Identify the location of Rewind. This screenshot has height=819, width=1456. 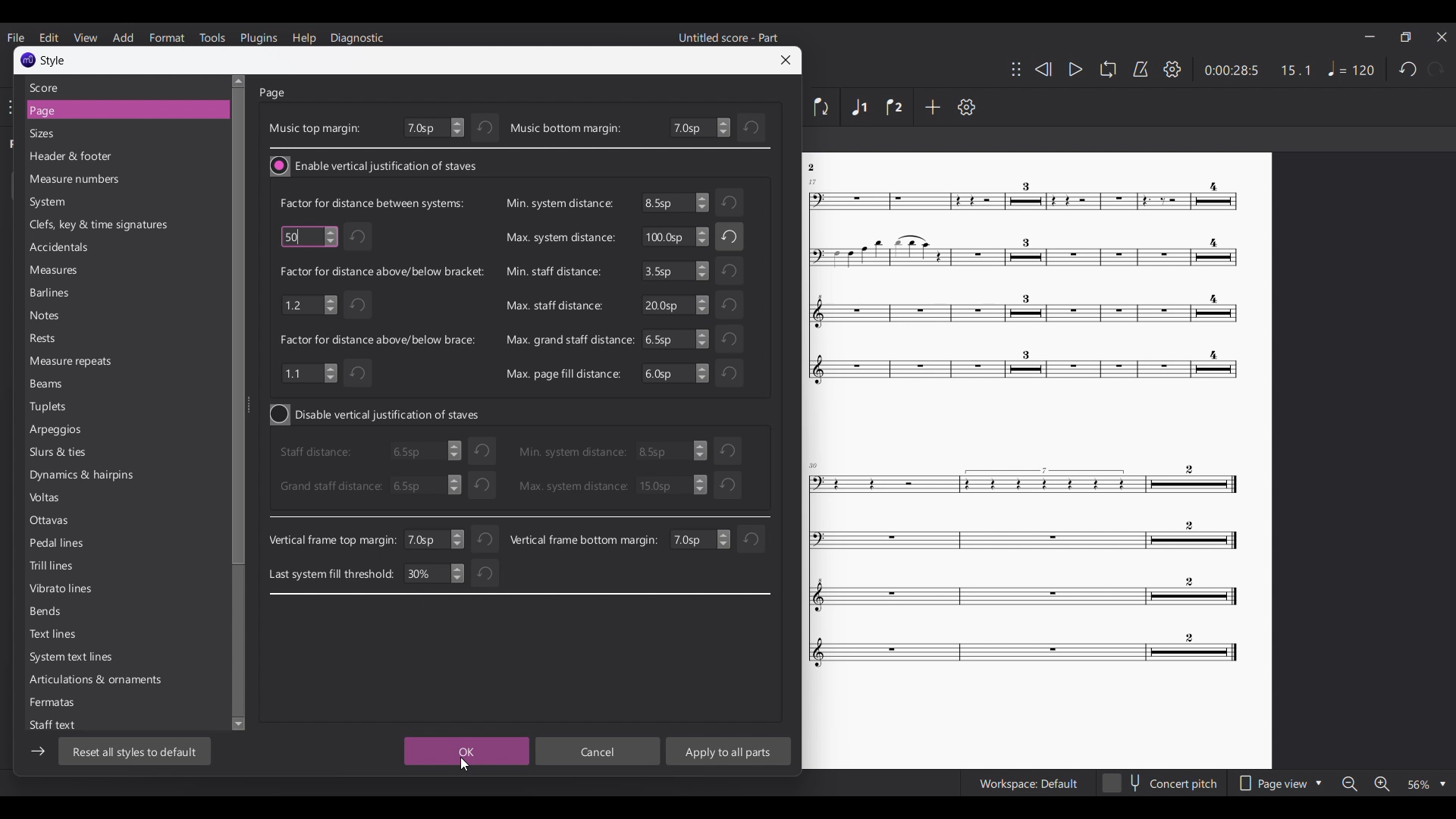
(1043, 69).